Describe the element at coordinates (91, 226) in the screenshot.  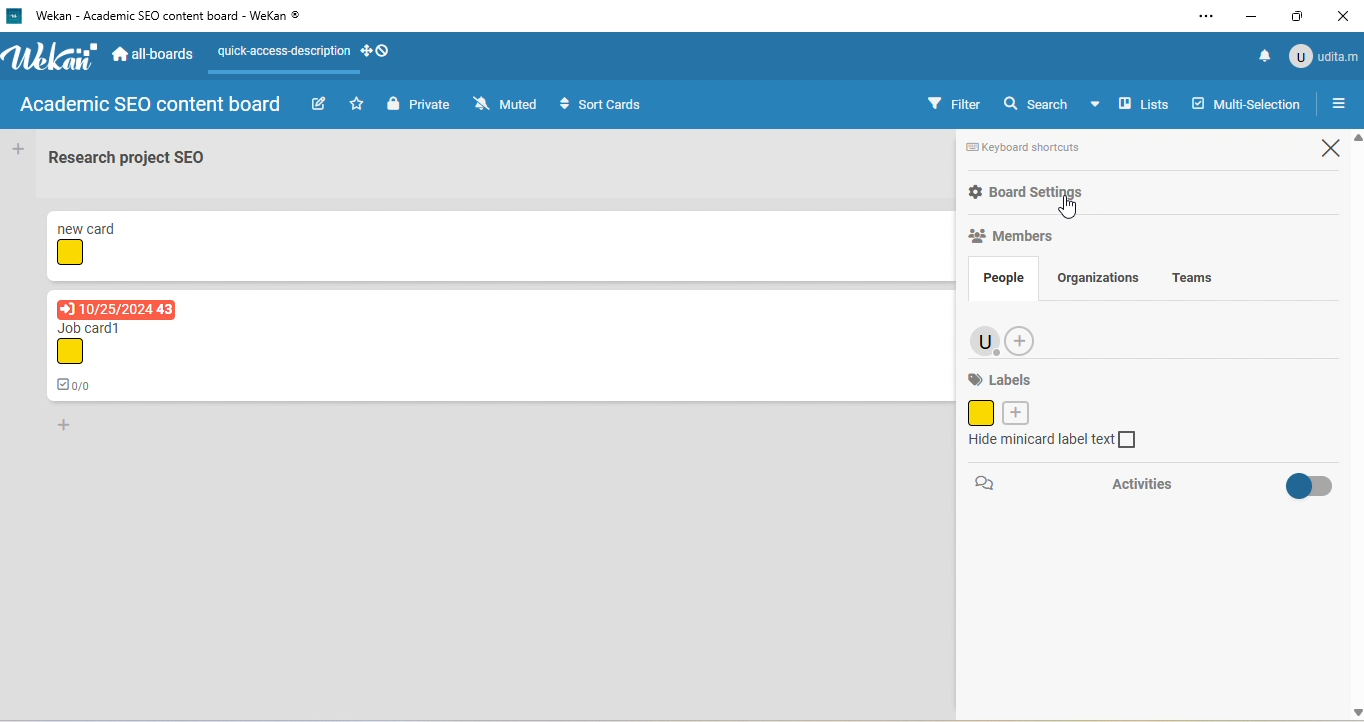
I see `new card` at that location.